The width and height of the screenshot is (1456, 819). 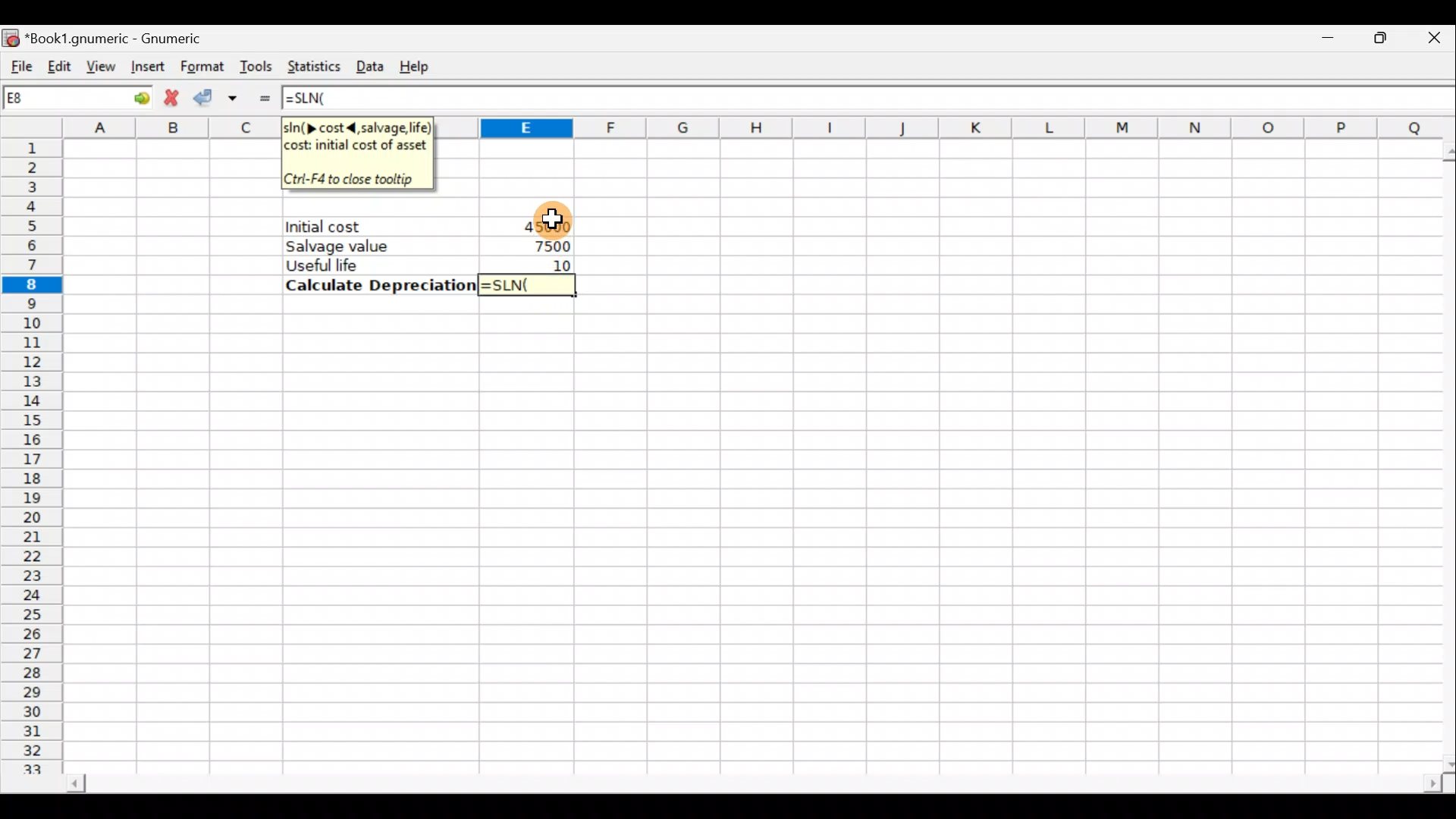 What do you see at coordinates (1425, 42) in the screenshot?
I see `Close` at bounding box center [1425, 42].